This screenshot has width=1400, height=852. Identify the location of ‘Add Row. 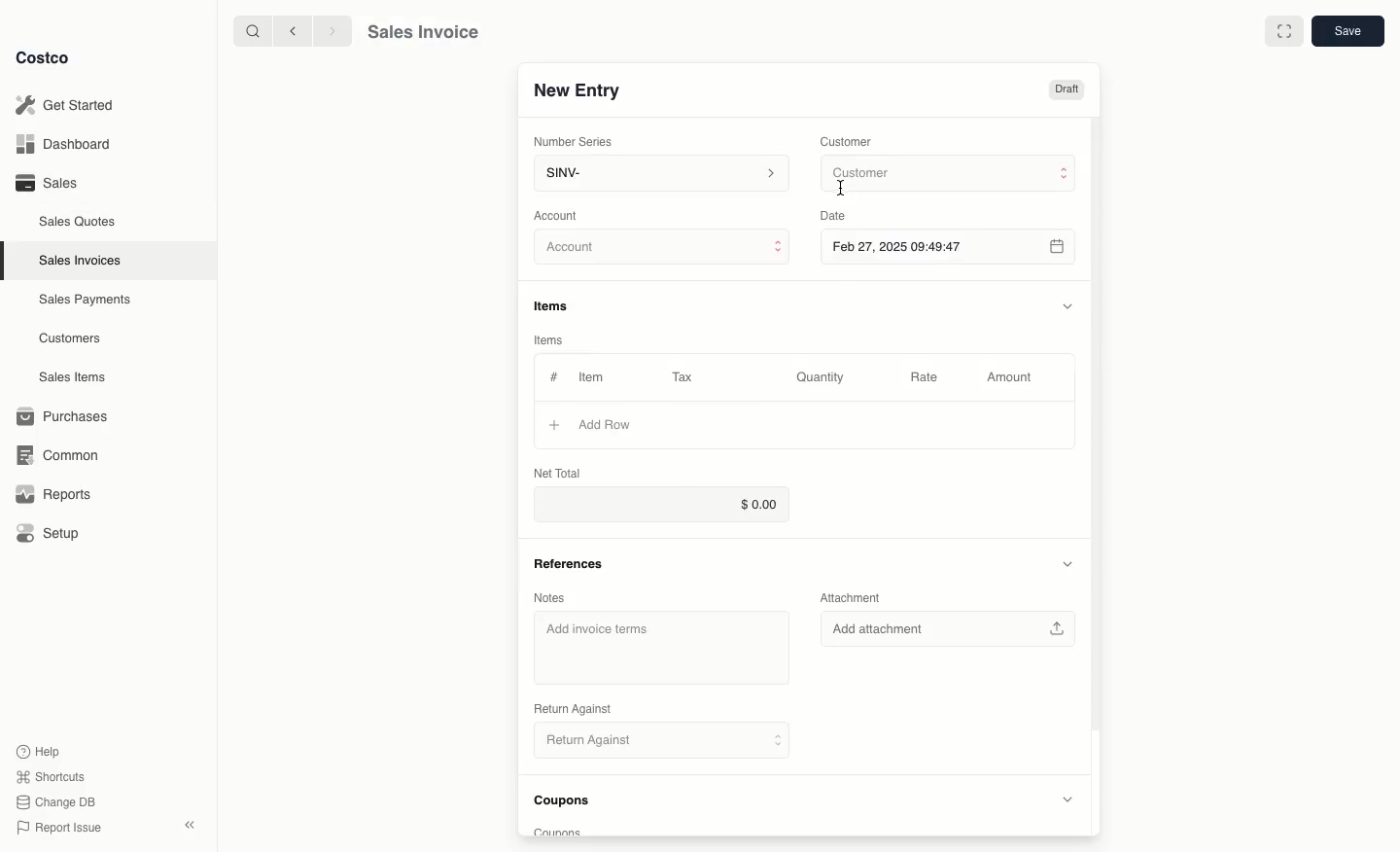
(608, 424).